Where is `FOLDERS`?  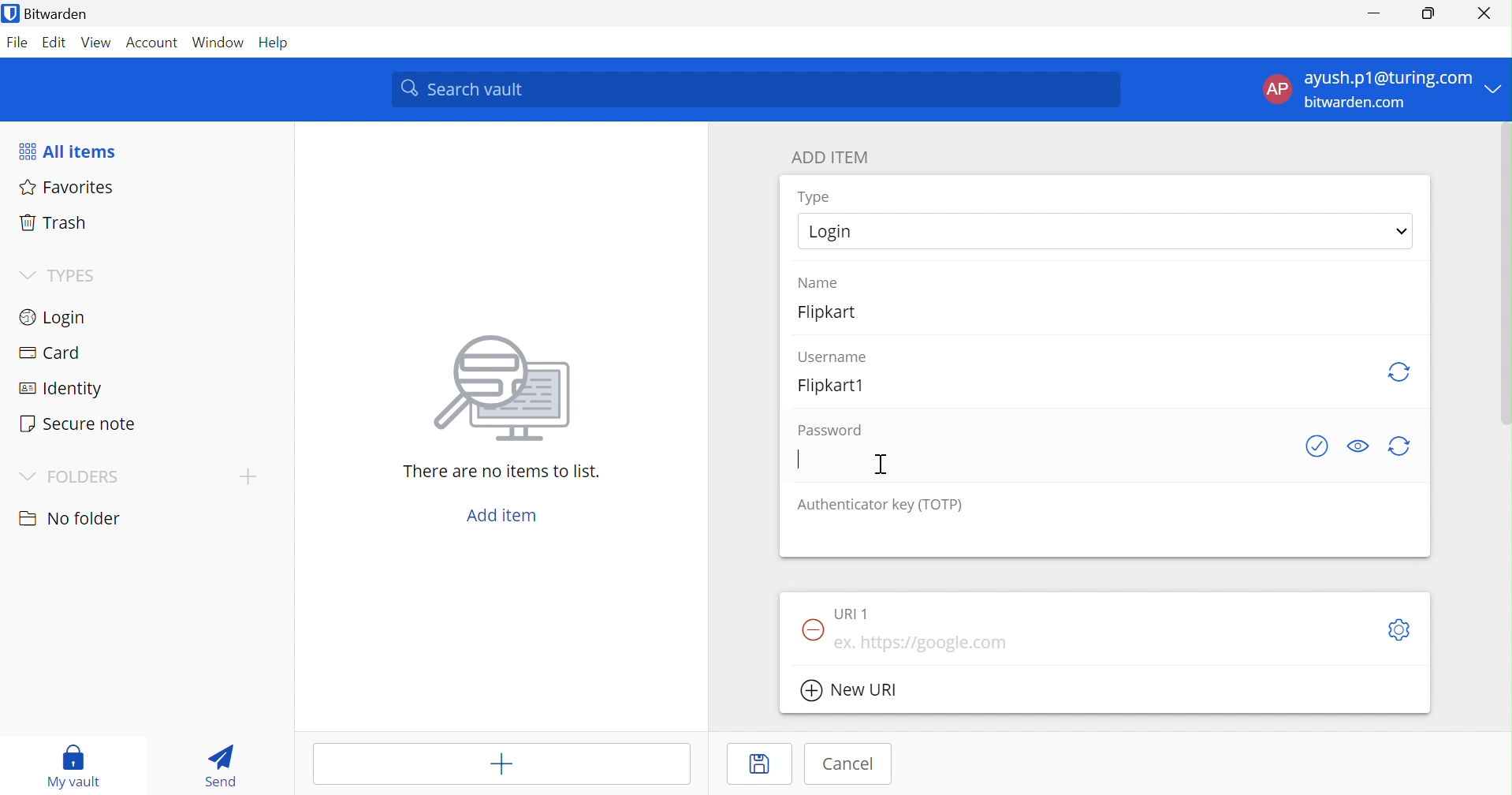
FOLDERS is located at coordinates (84, 478).